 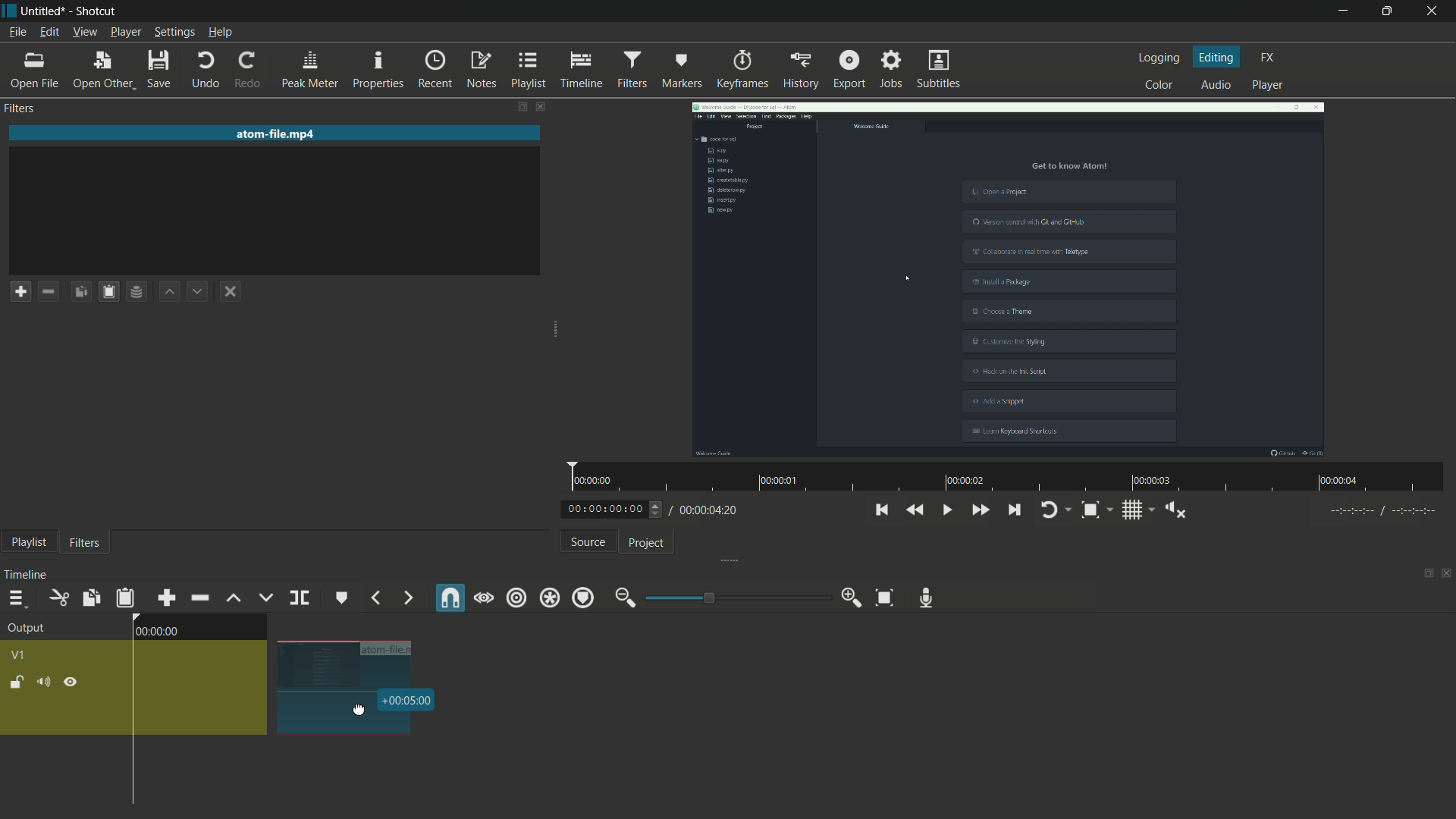 I want to click on cut, so click(x=57, y=598).